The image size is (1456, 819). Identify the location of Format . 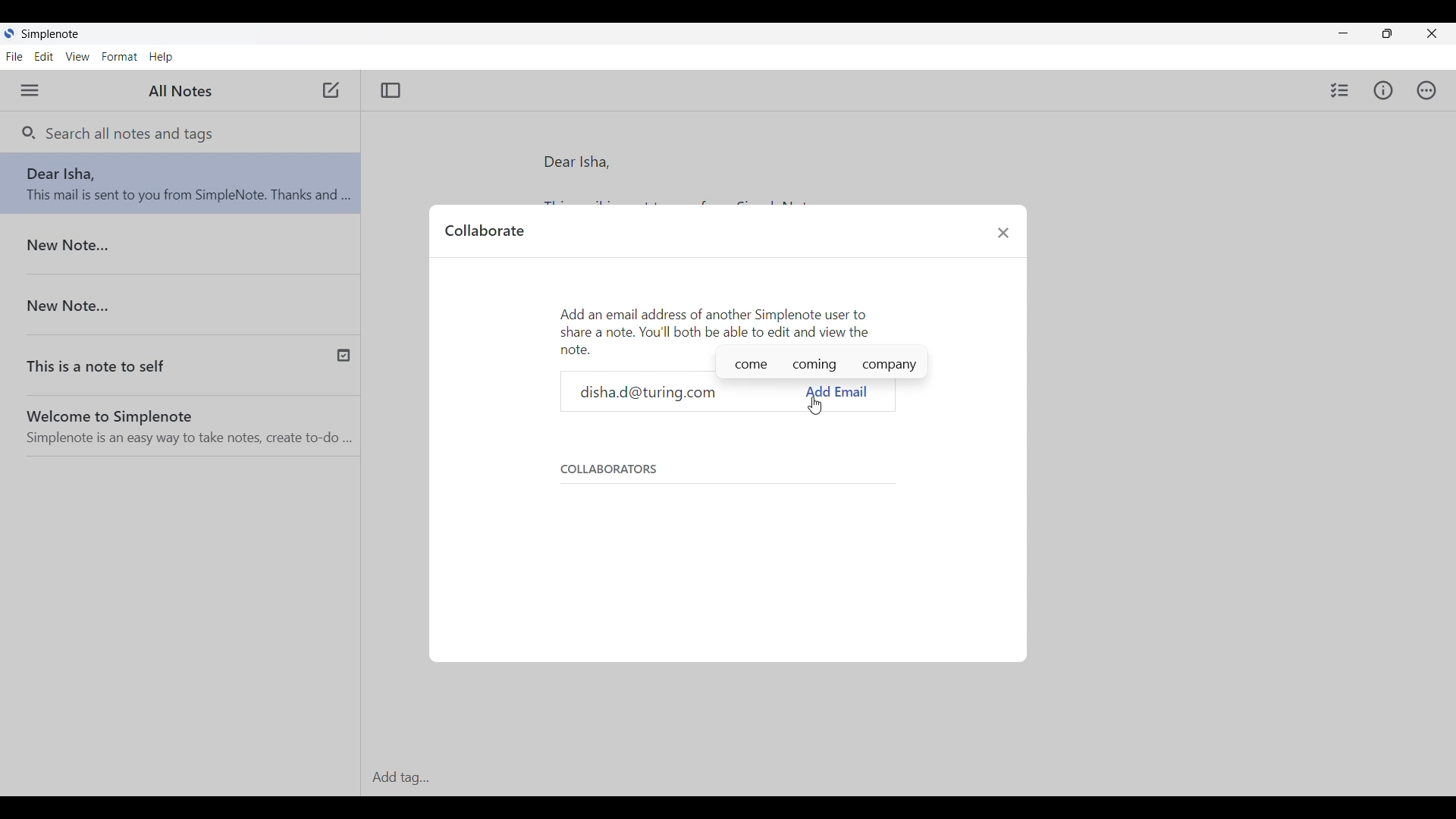
(120, 57).